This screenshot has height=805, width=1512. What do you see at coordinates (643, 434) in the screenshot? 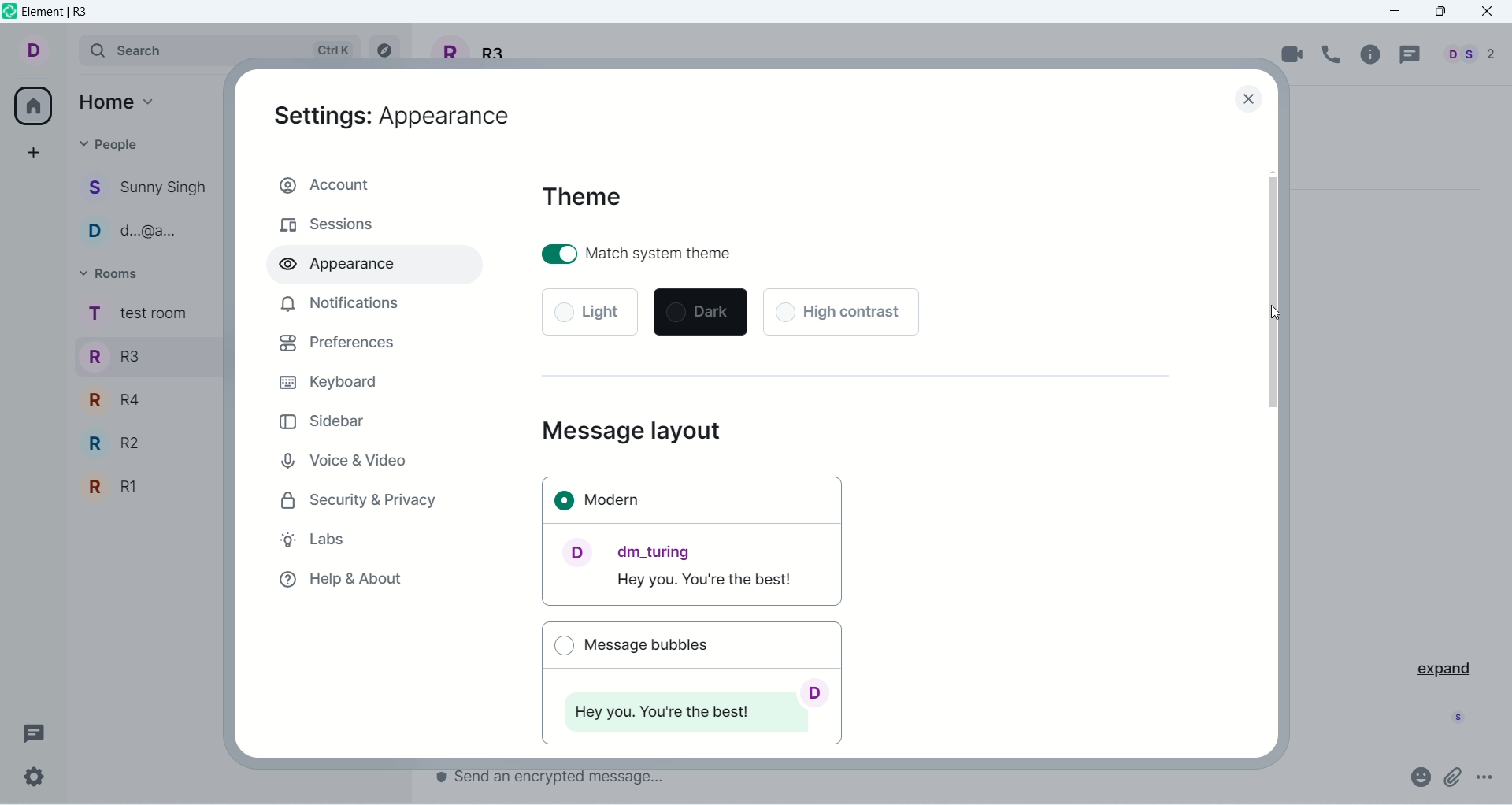
I see `message layout` at bounding box center [643, 434].